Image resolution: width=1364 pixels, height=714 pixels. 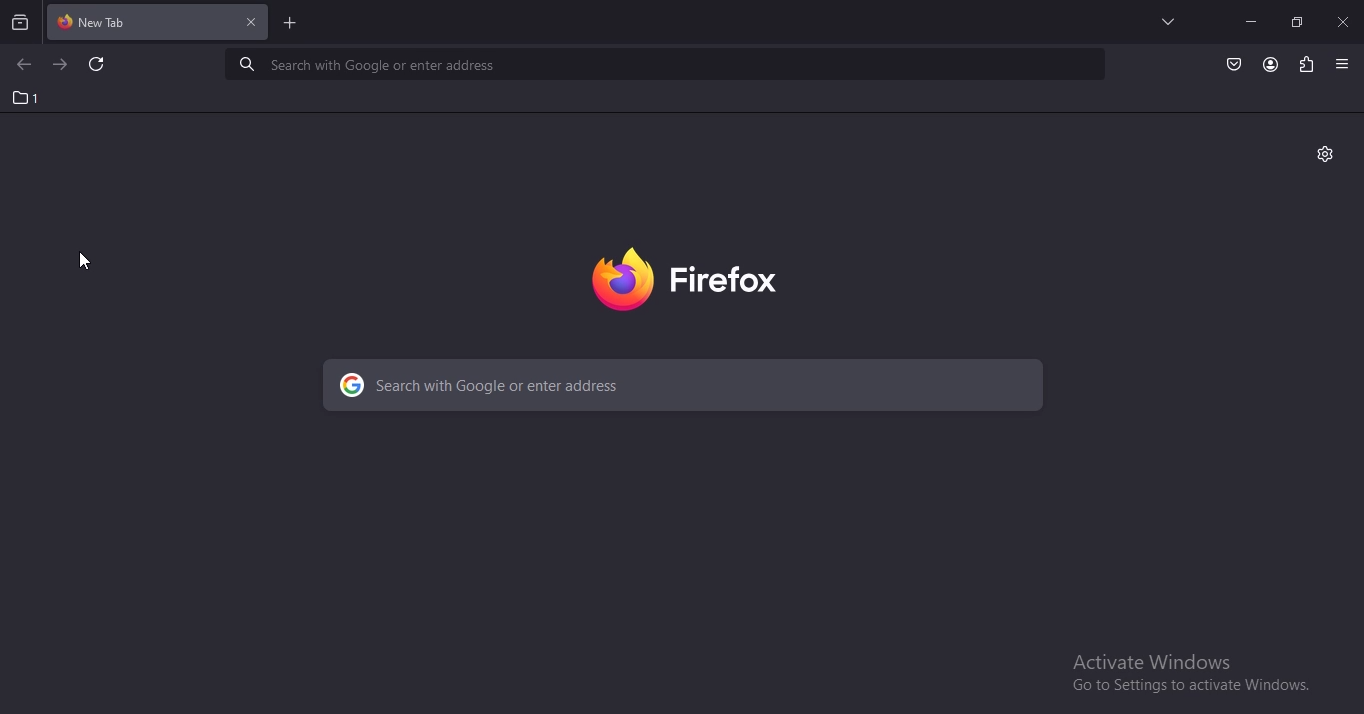 What do you see at coordinates (1250, 21) in the screenshot?
I see `minimize` at bounding box center [1250, 21].